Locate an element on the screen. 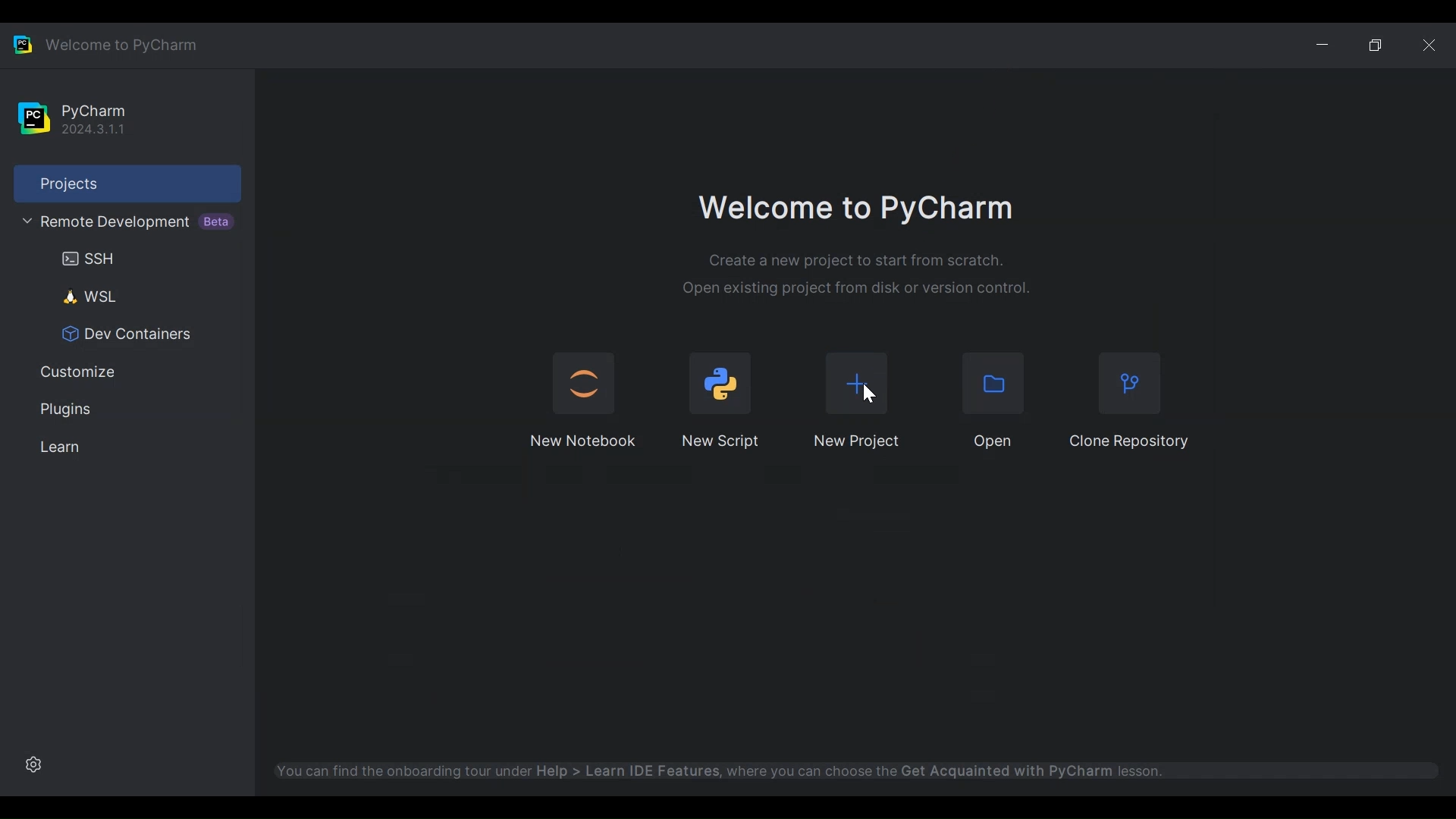 This screenshot has width=1456, height=819. Dev Containers is located at coordinates (120, 334).